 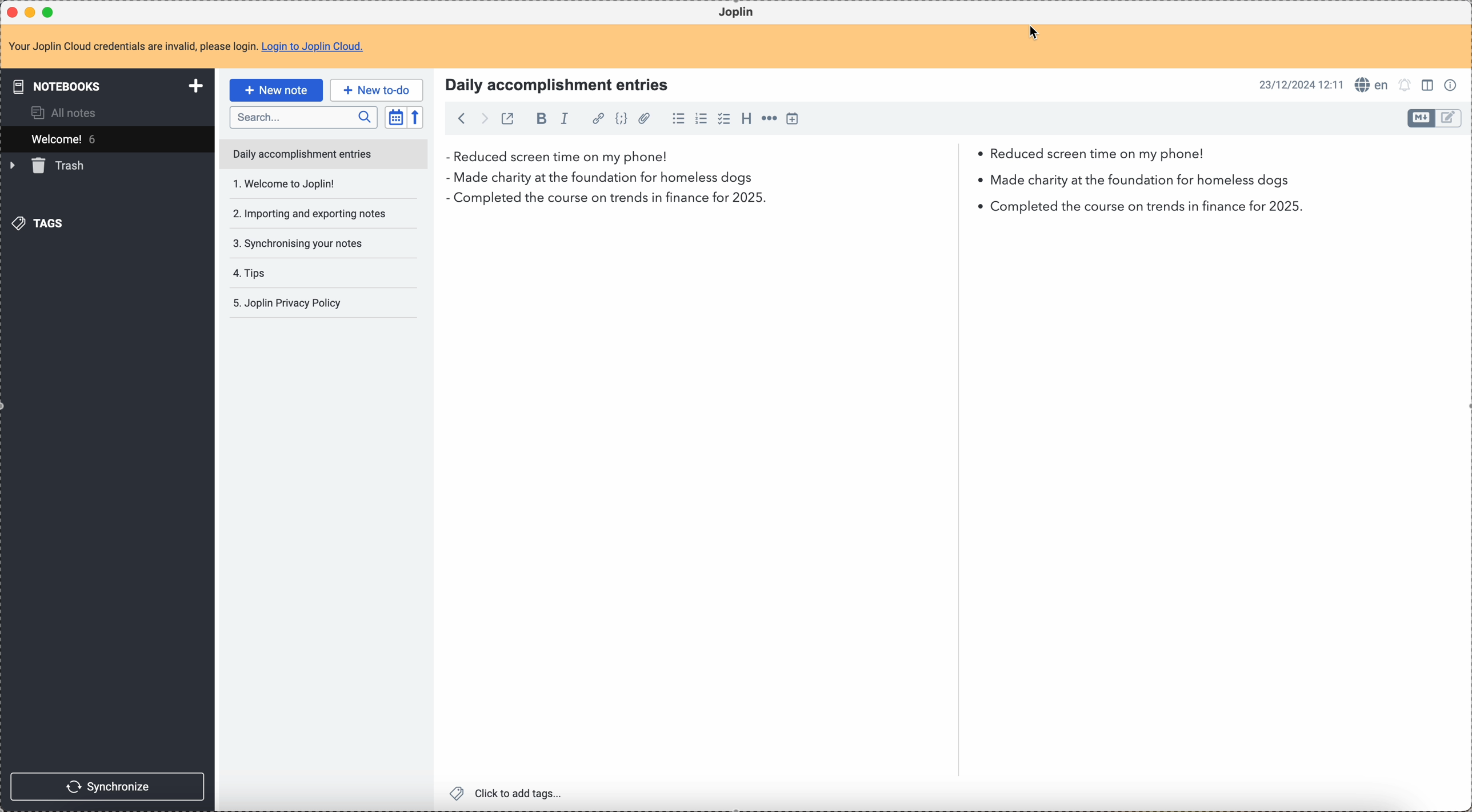 What do you see at coordinates (1449, 118) in the screenshot?
I see `toggle edit layout` at bounding box center [1449, 118].